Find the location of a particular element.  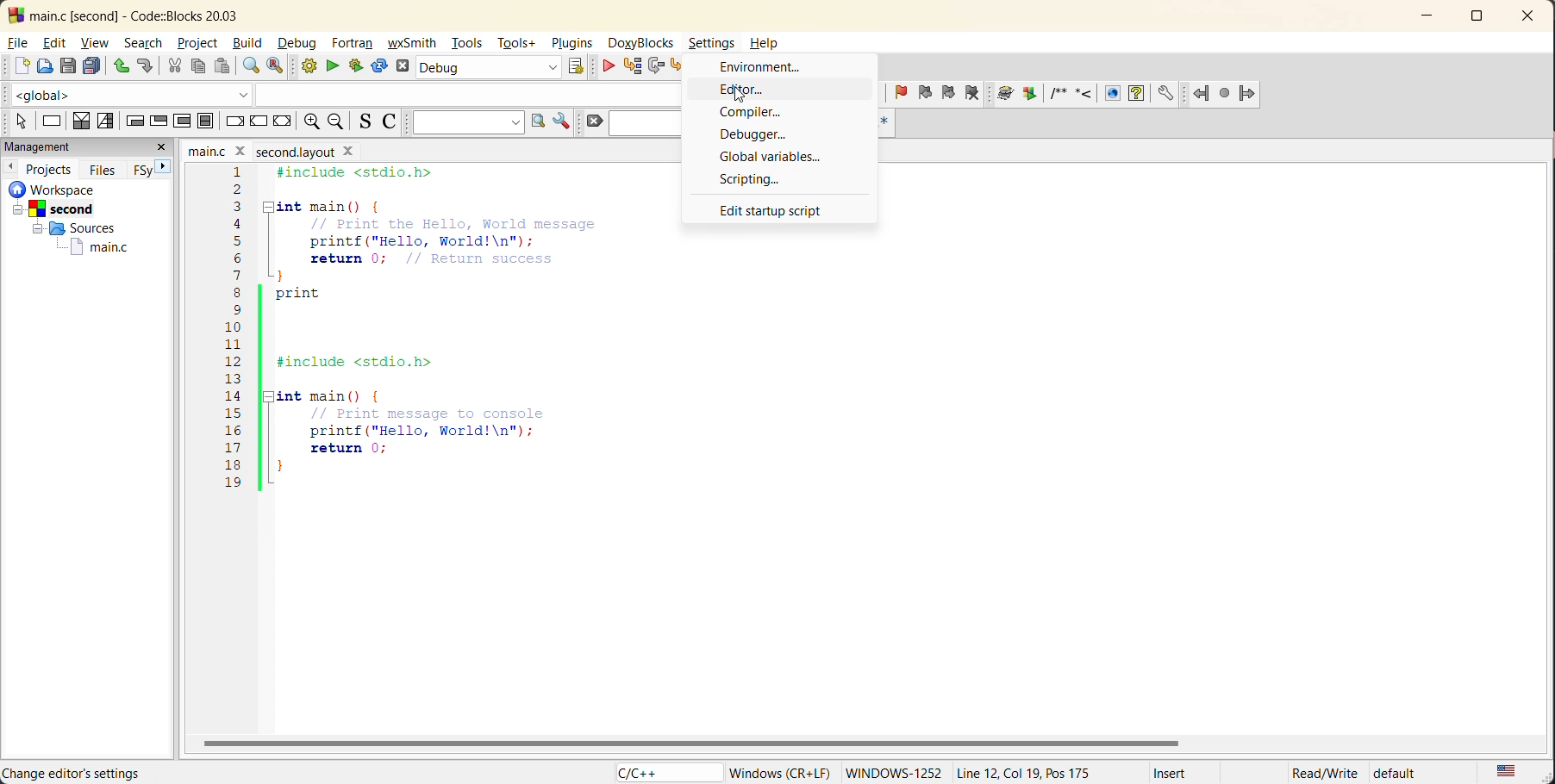

previous bookmark is located at coordinates (926, 92).